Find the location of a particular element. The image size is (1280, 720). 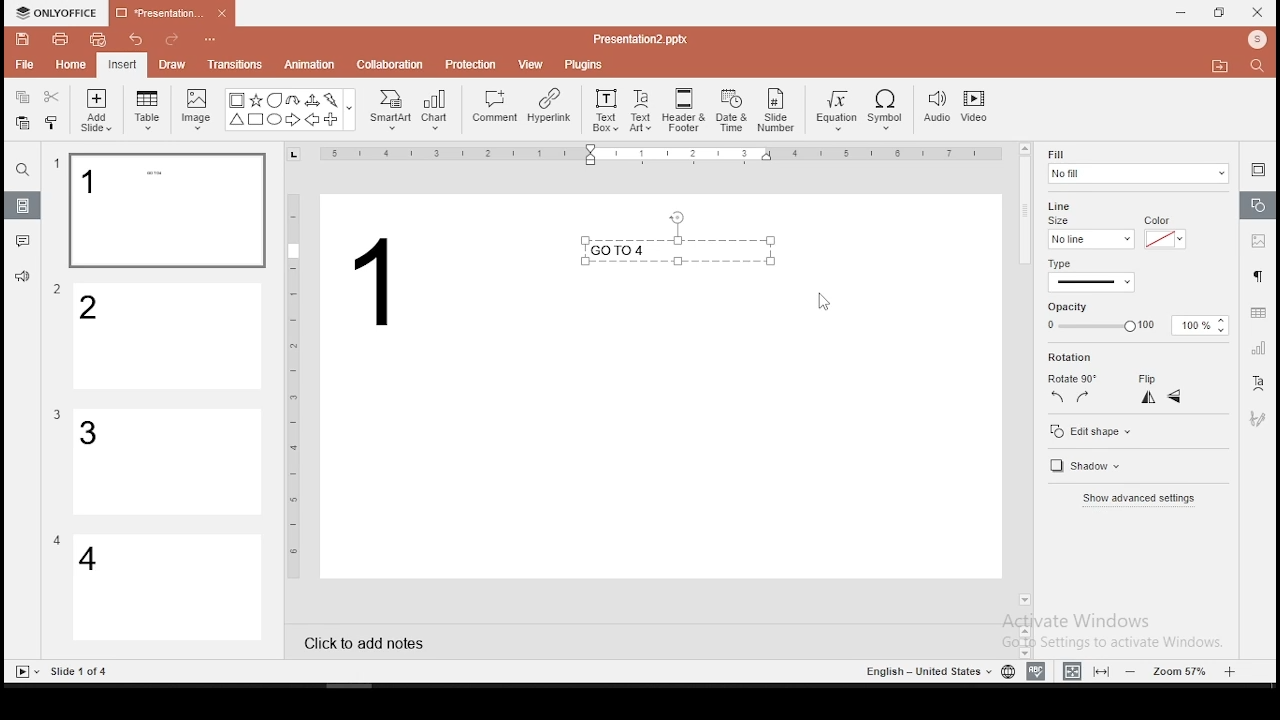

image is located at coordinates (198, 109).